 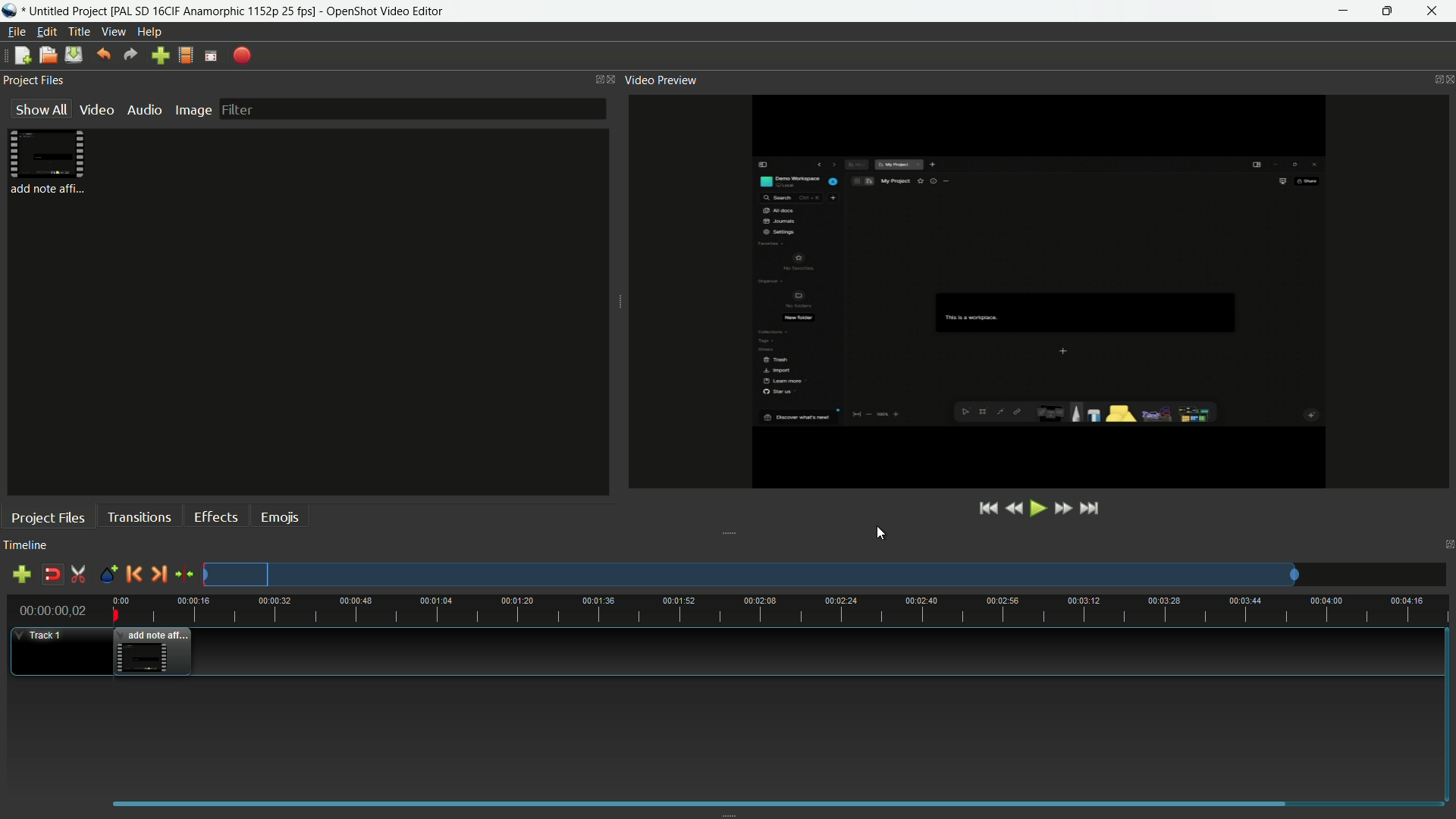 I want to click on previous marker, so click(x=133, y=574).